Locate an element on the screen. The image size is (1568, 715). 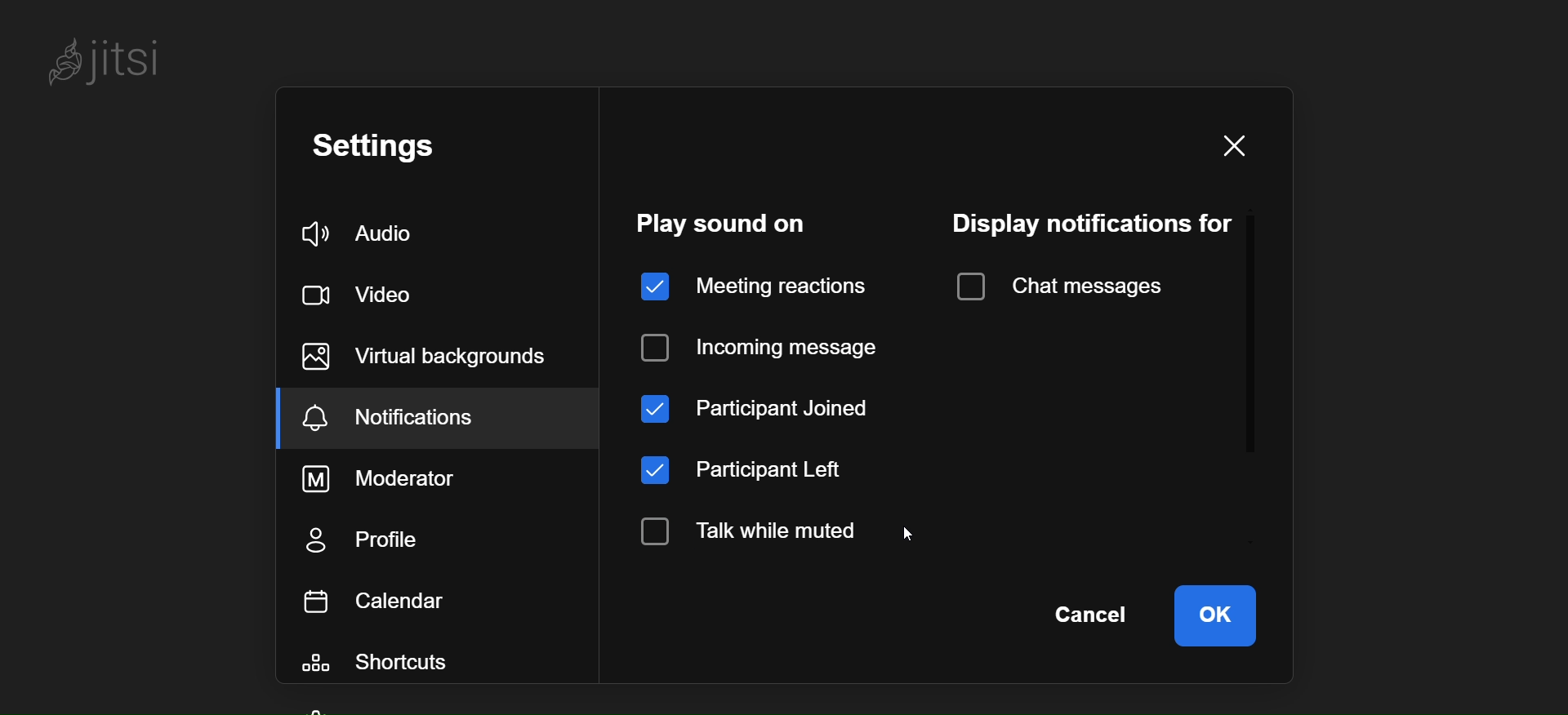
display notification for is located at coordinates (1091, 220).